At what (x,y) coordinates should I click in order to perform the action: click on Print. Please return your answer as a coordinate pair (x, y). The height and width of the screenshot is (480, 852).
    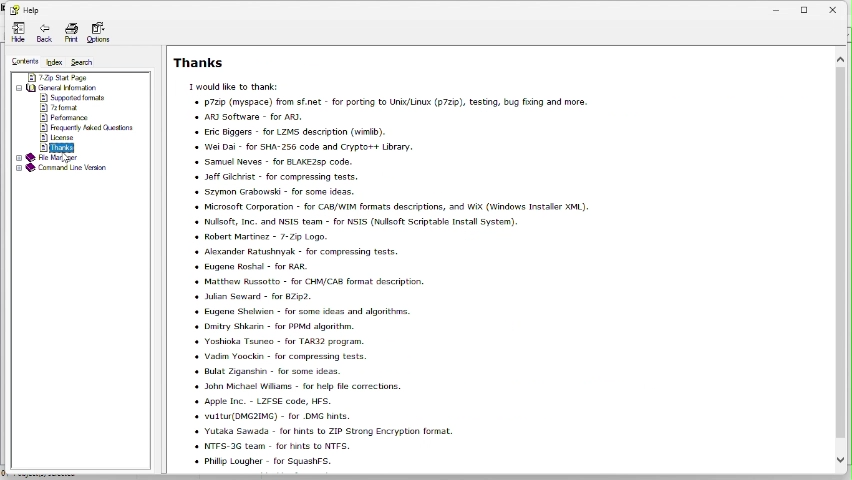
    Looking at the image, I should click on (69, 34).